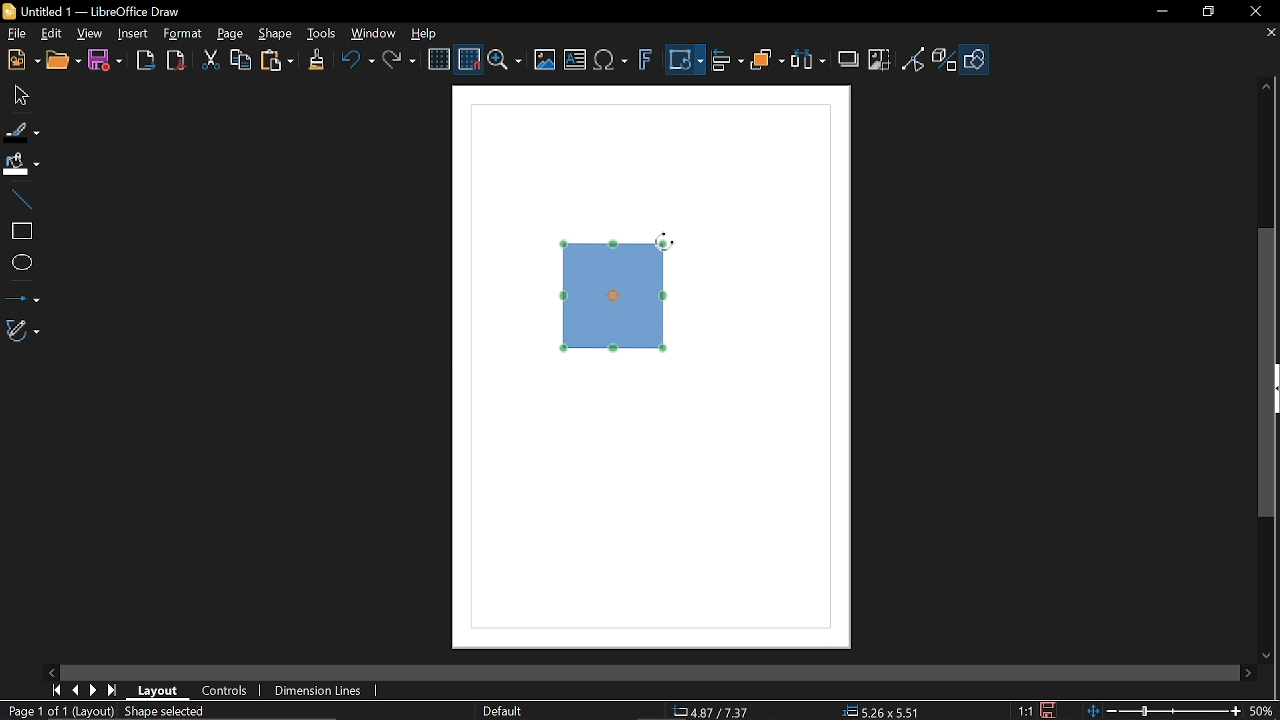 This screenshot has width=1280, height=720. Describe the element at coordinates (241, 61) in the screenshot. I see `Copy` at that location.